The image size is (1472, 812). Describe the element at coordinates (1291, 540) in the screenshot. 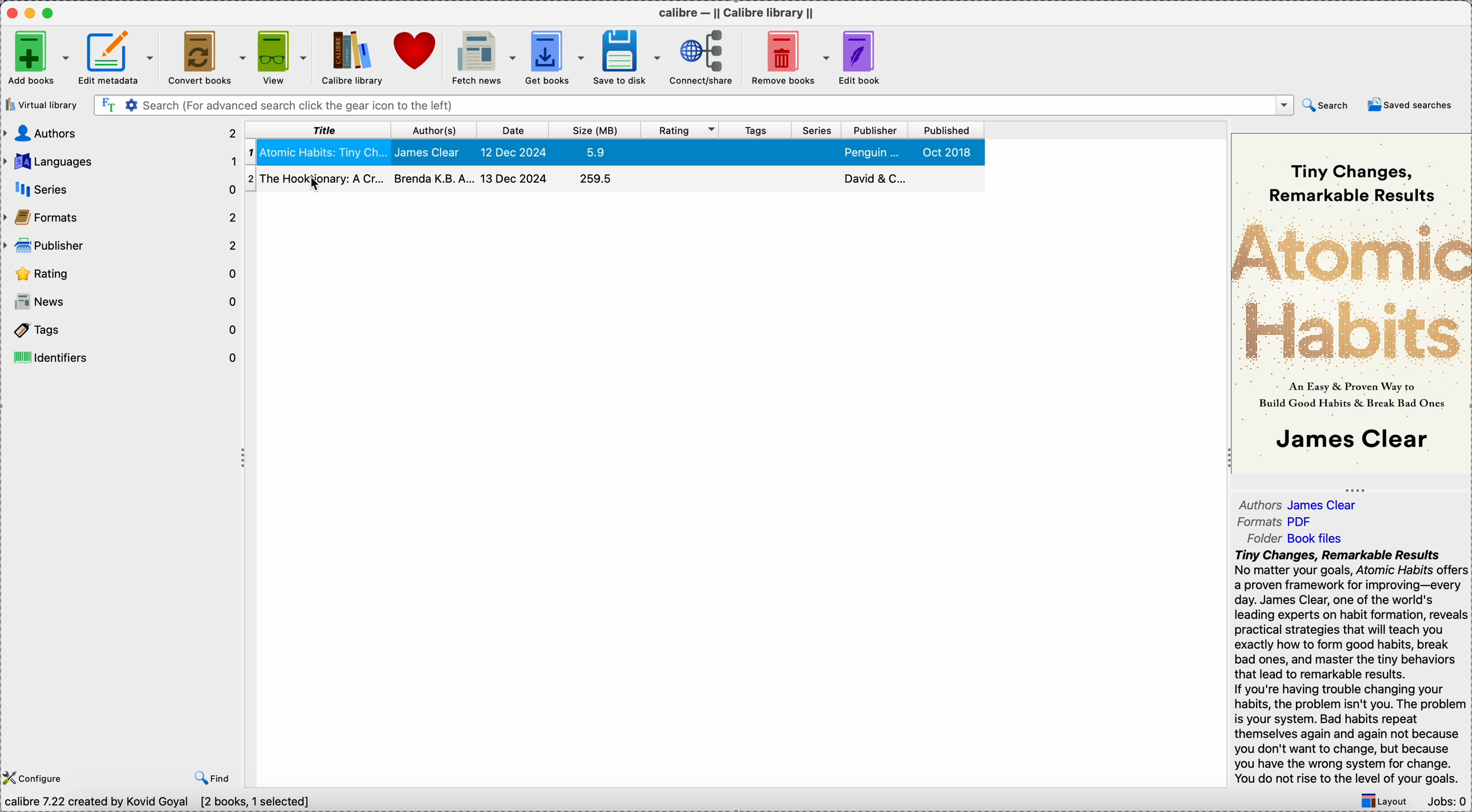

I see `folder Book files` at that location.